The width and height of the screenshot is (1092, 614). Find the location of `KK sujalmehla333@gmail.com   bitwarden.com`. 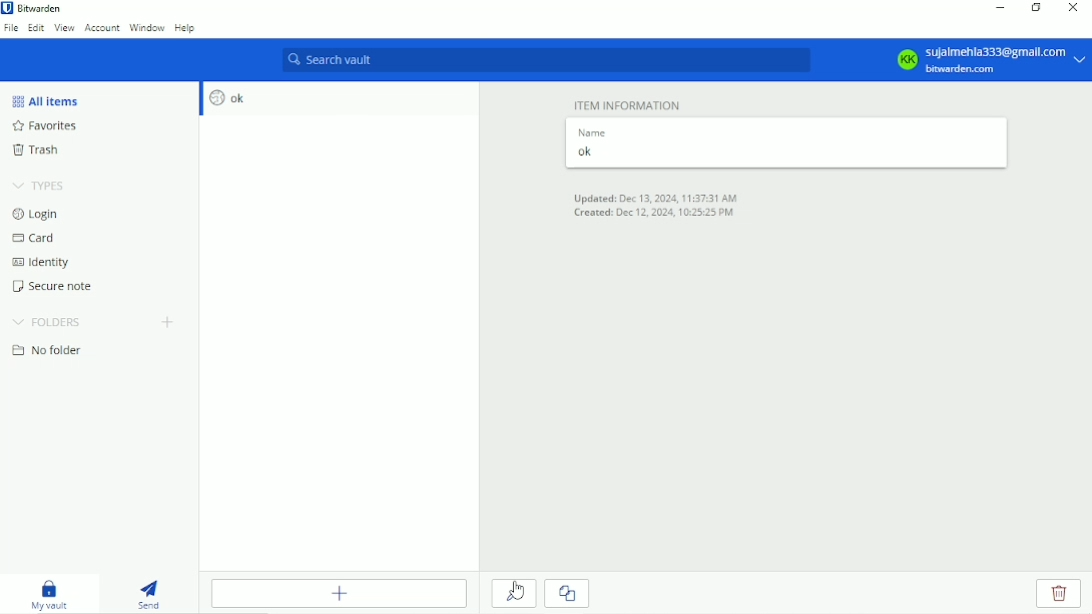

KK sujalmehla333@gmail.com   bitwarden.com is located at coordinates (988, 59).